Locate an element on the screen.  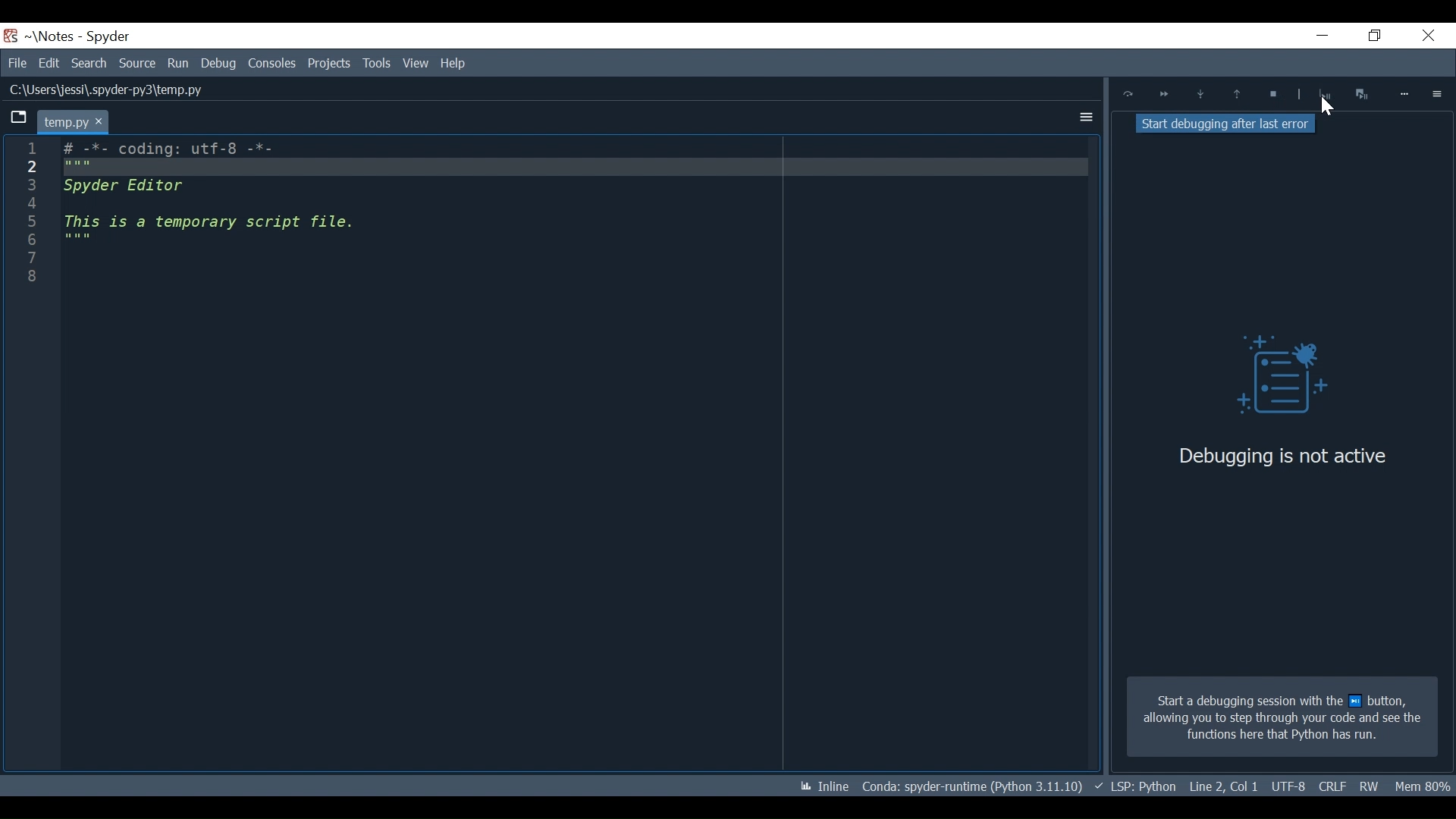
Stop debugging after last error tooltip is located at coordinates (1225, 124).